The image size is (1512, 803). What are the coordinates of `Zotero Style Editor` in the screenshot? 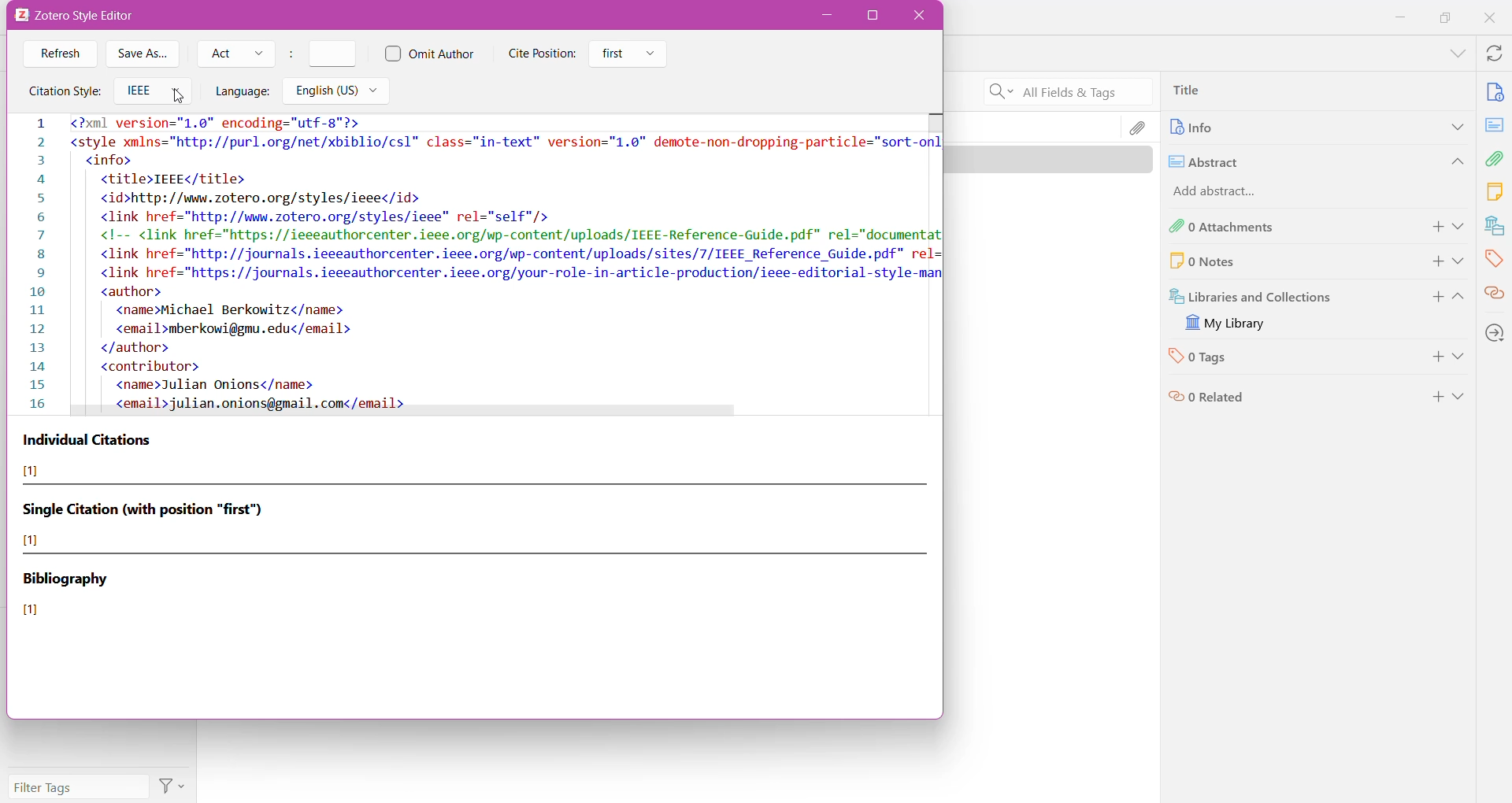 It's located at (83, 17).